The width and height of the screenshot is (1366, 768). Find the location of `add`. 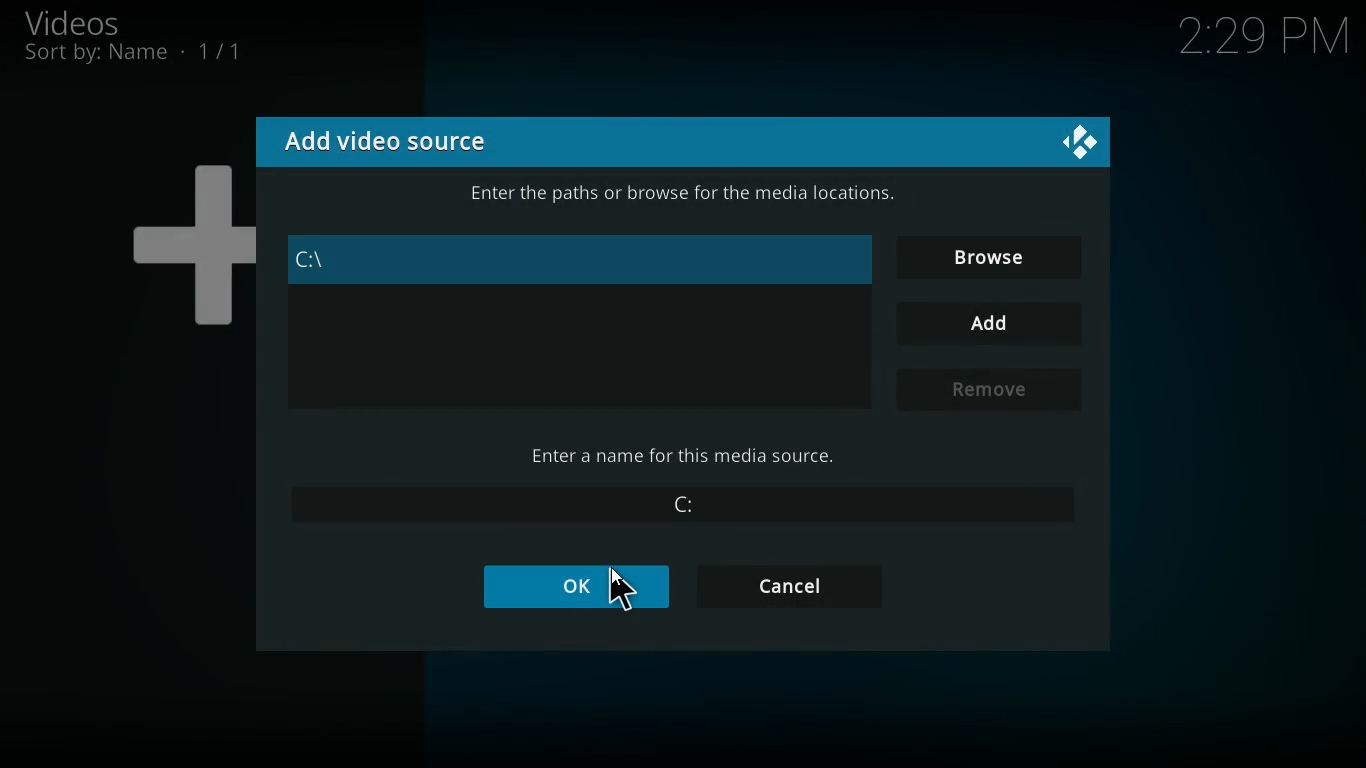

add is located at coordinates (994, 324).